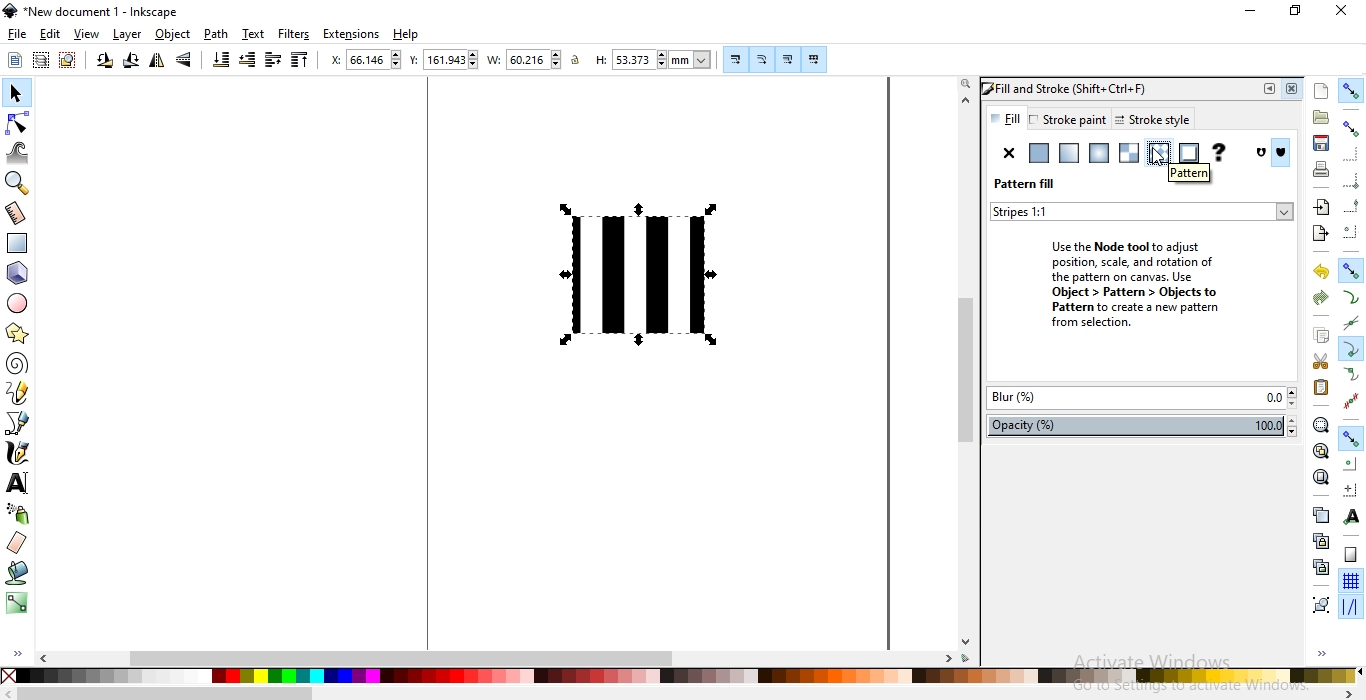 The image size is (1366, 700). Describe the element at coordinates (1269, 89) in the screenshot. I see `iconify this dock` at that location.